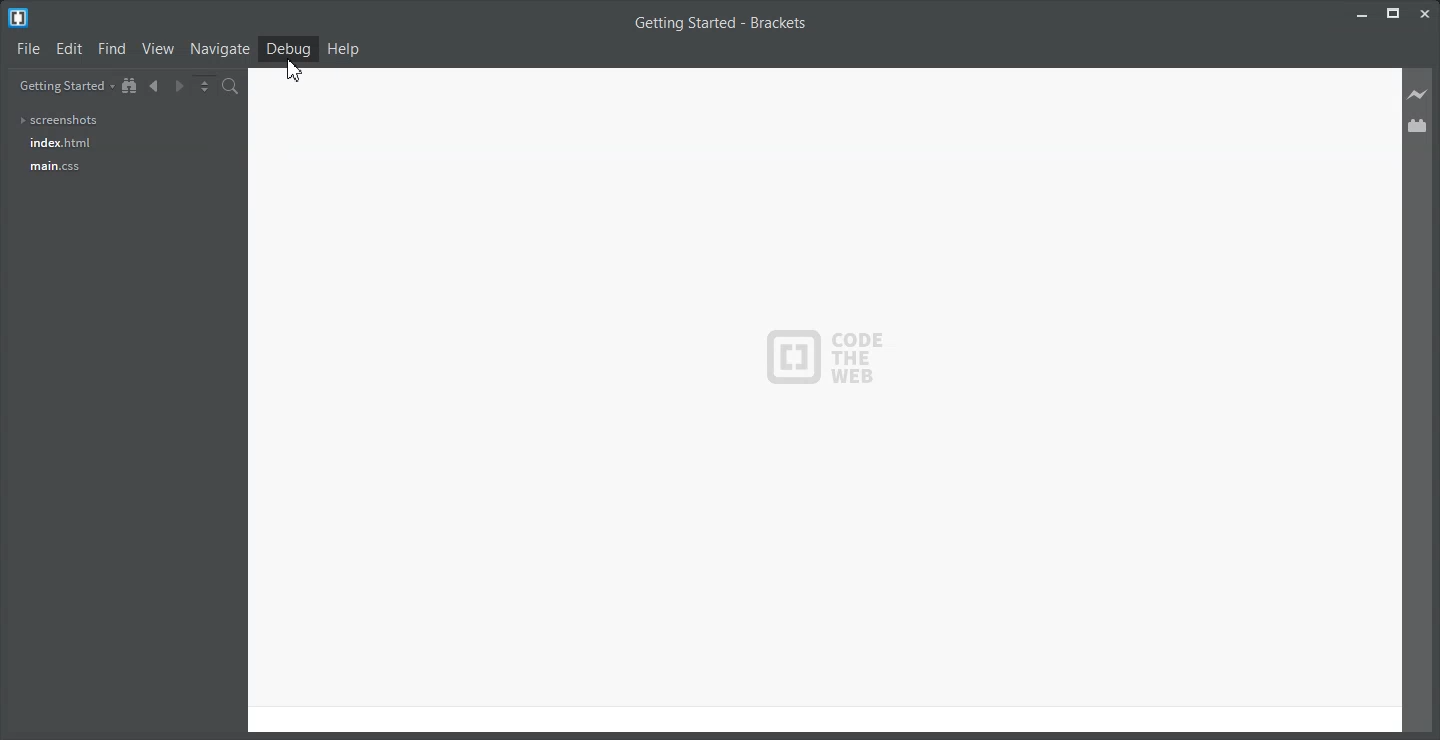  What do you see at coordinates (1393, 11) in the screenshot?
I see `Maximize` at bounding box center [1393, 11].